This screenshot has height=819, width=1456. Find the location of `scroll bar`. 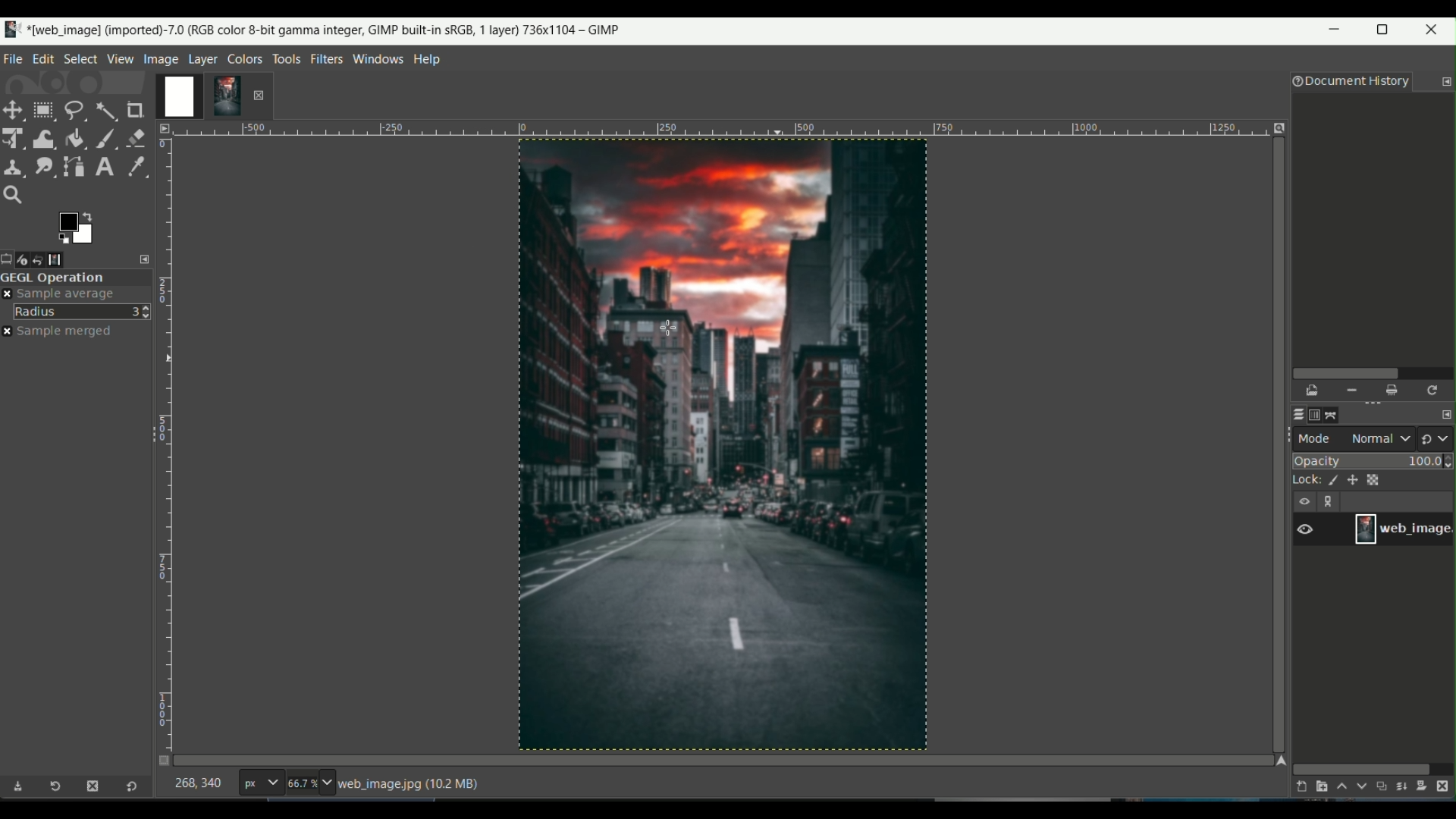

scroll bar is located at coordinates (1362, 767).